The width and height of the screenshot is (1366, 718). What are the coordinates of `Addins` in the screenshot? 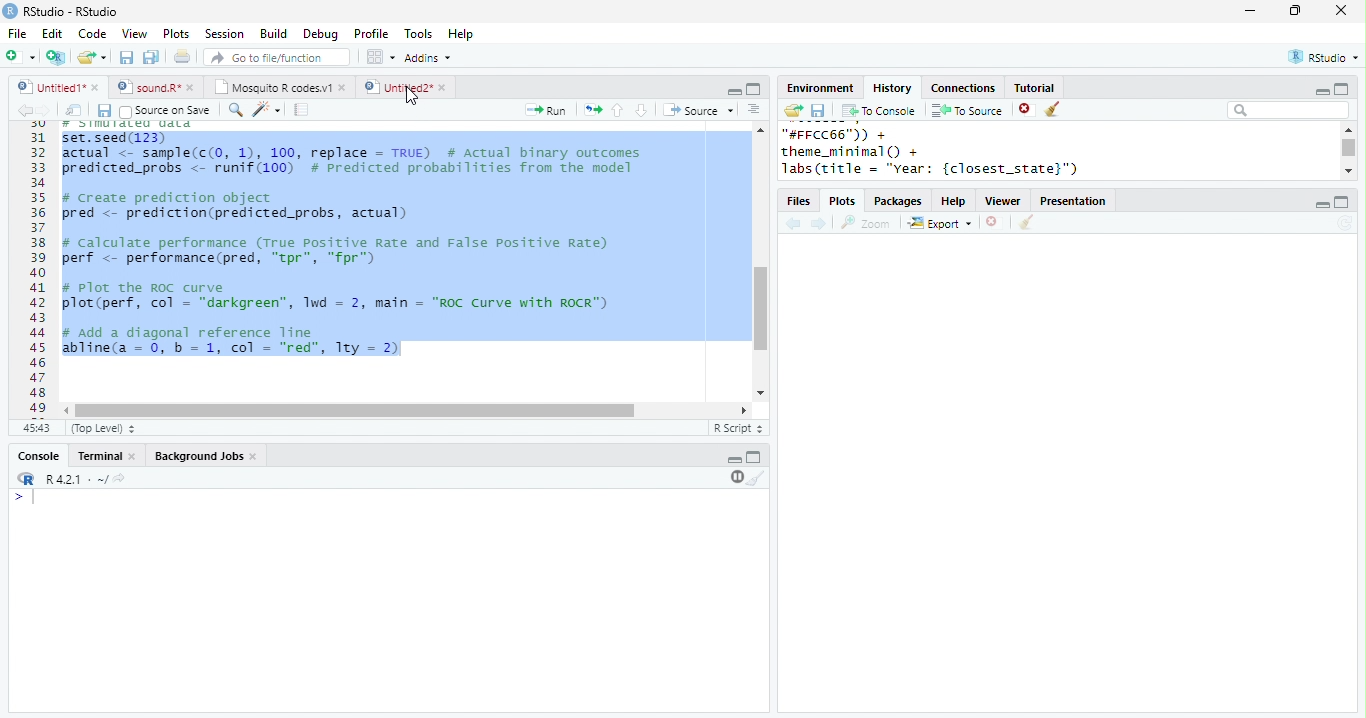 It's located at (428, 58).